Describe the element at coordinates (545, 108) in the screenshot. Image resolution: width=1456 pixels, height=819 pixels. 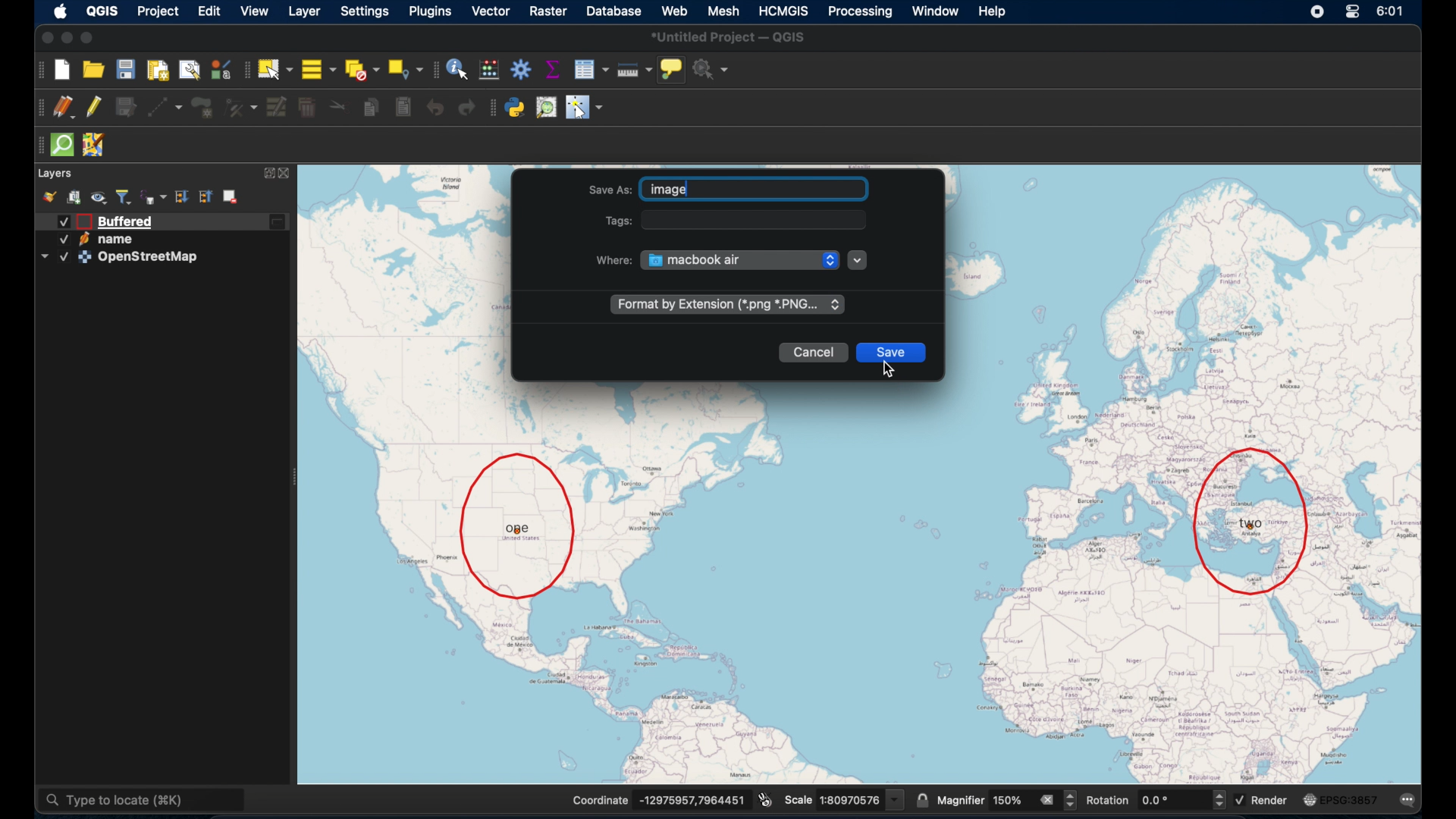
I see `osm place search` at that location.